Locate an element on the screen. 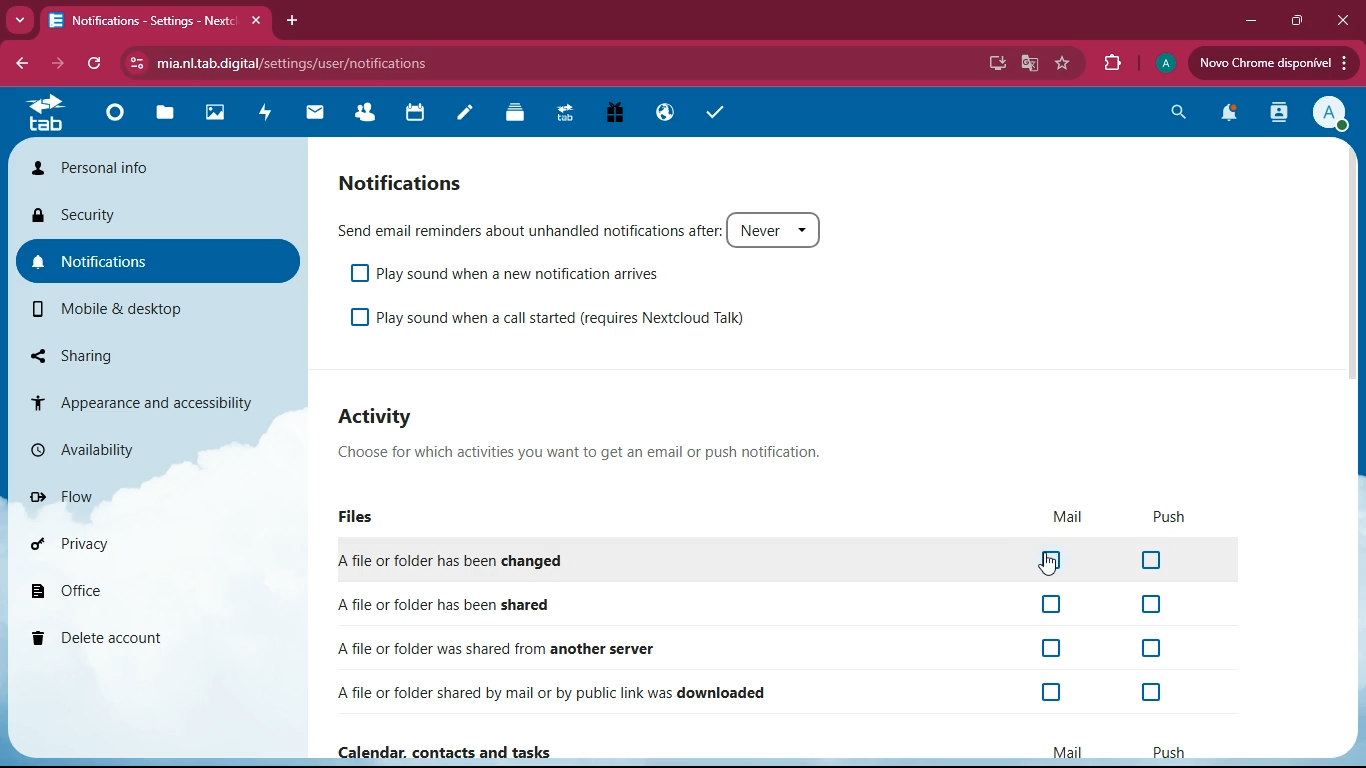  never is located at coordinates (779, 231).